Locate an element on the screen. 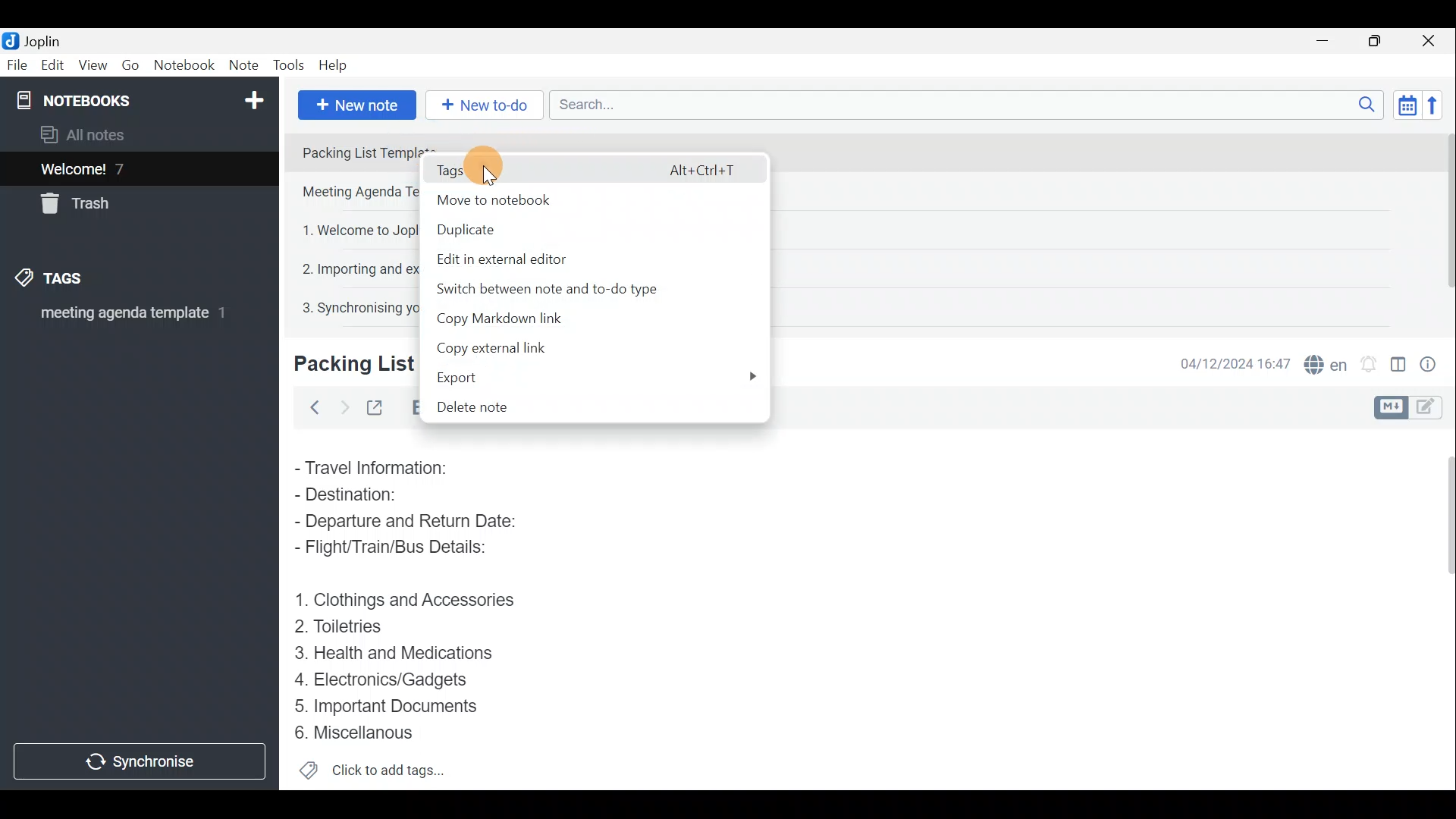 This screenshot has height=819, width=1456. Notebook is located at coordinates (137, 99).